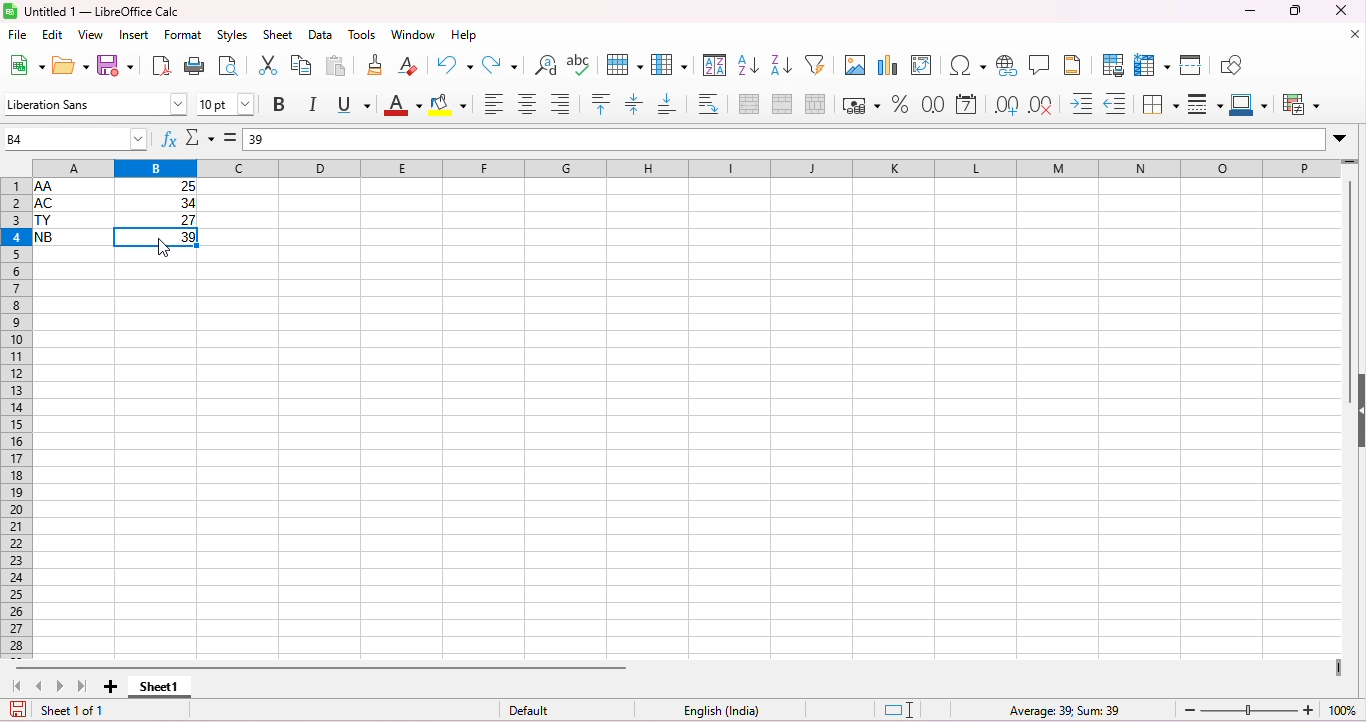 The image size is (1366, 722). I want to click on sort ascending, so click(749, 63).